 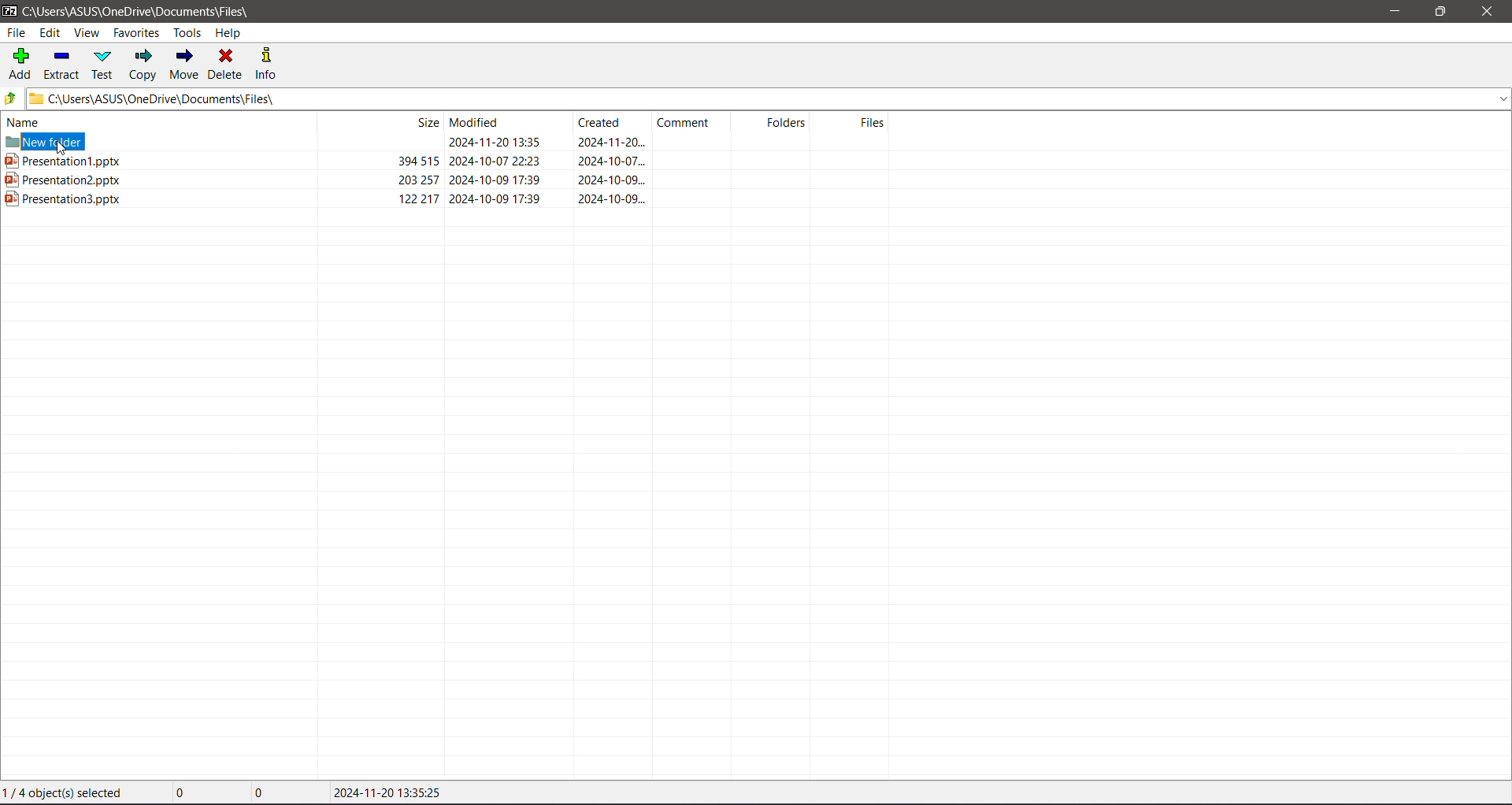 What do you see at coordinates (17, 32) in the screenshot?
I see `File` at bounding box center [17, 32].